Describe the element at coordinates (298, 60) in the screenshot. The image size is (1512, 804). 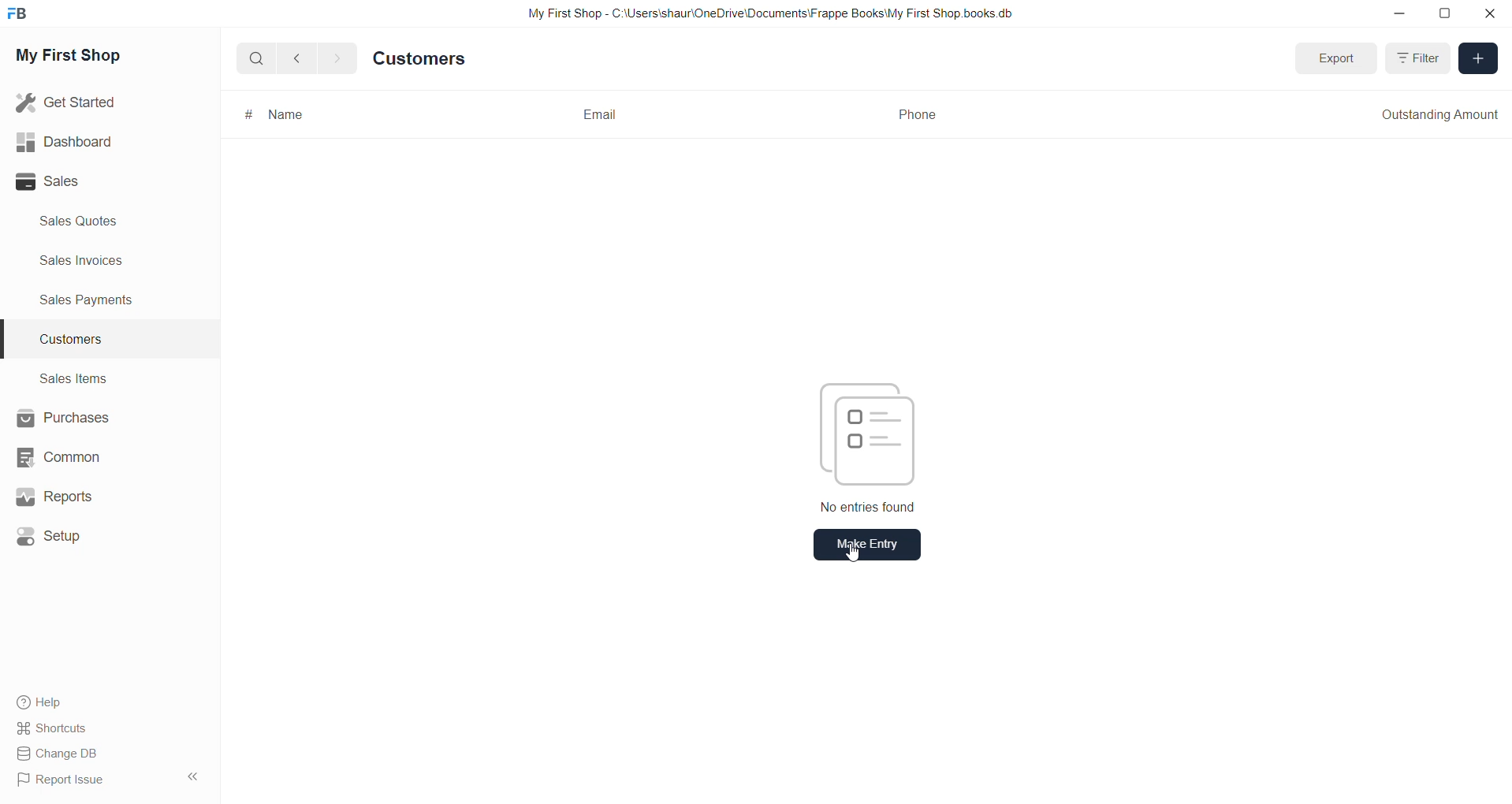
I see `go back` at that location.